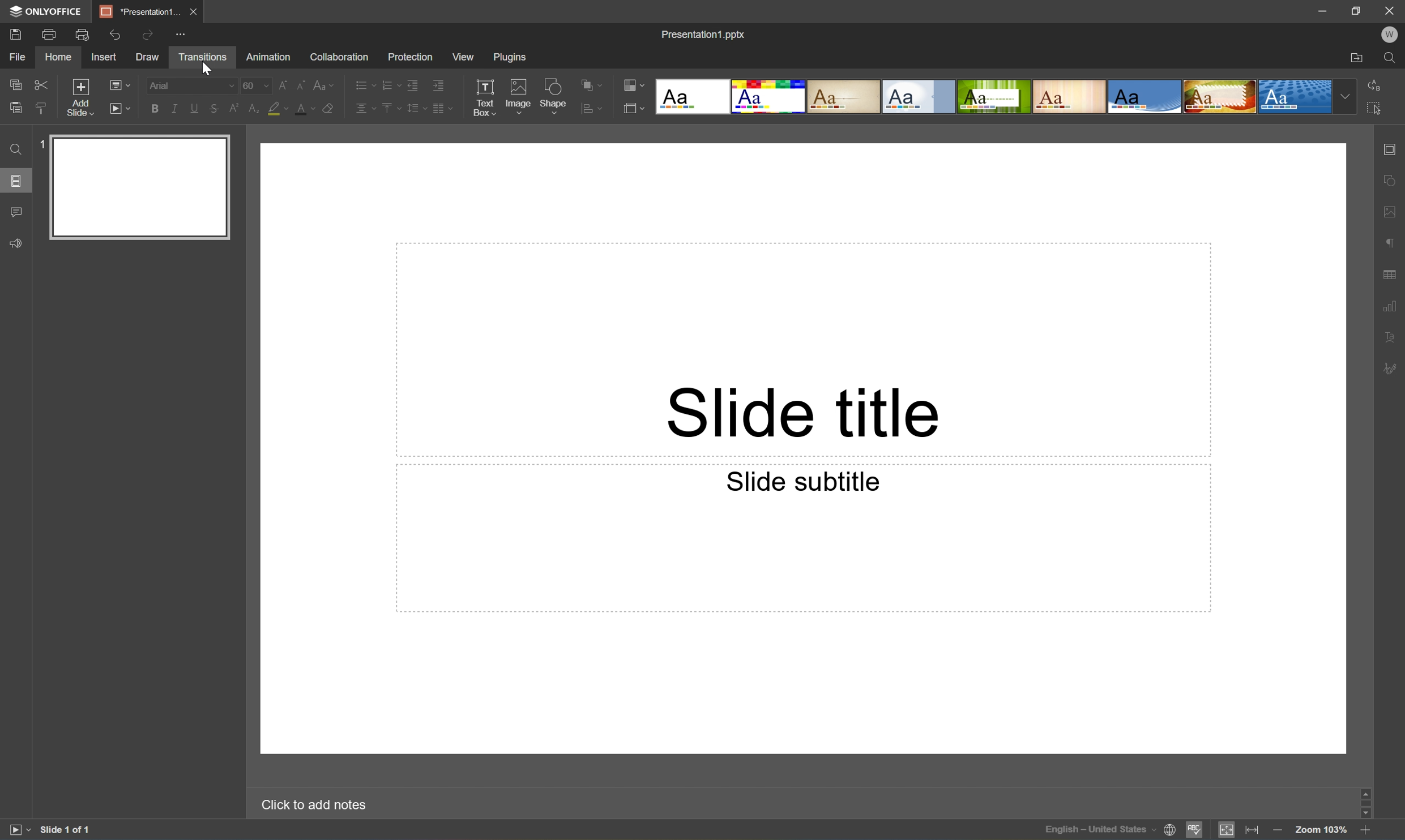 This screenshot has height=840, width=1405. I want to click on Close, so click(194, 11).